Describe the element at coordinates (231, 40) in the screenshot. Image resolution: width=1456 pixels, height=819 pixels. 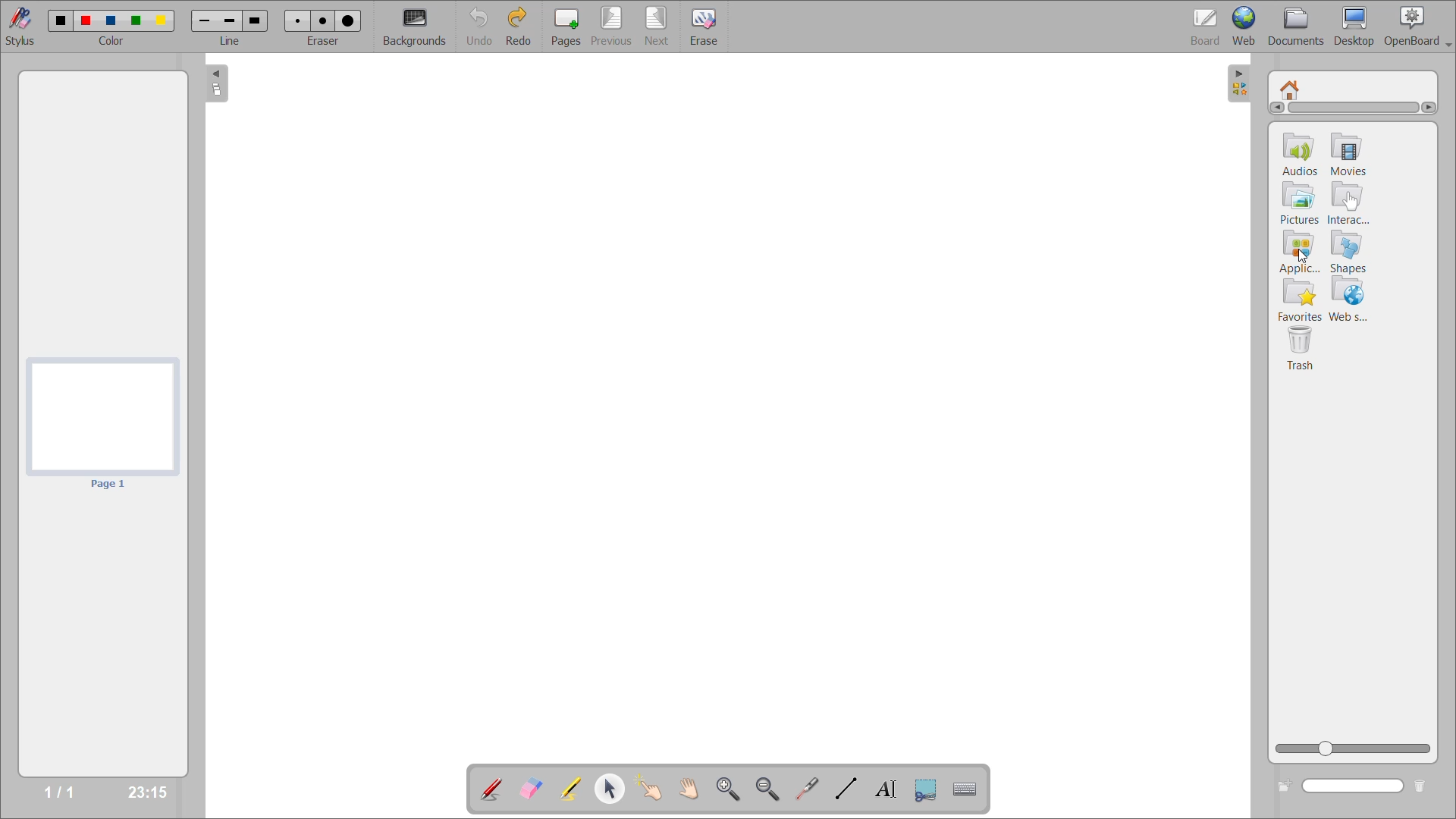
I see `line ` at that location.